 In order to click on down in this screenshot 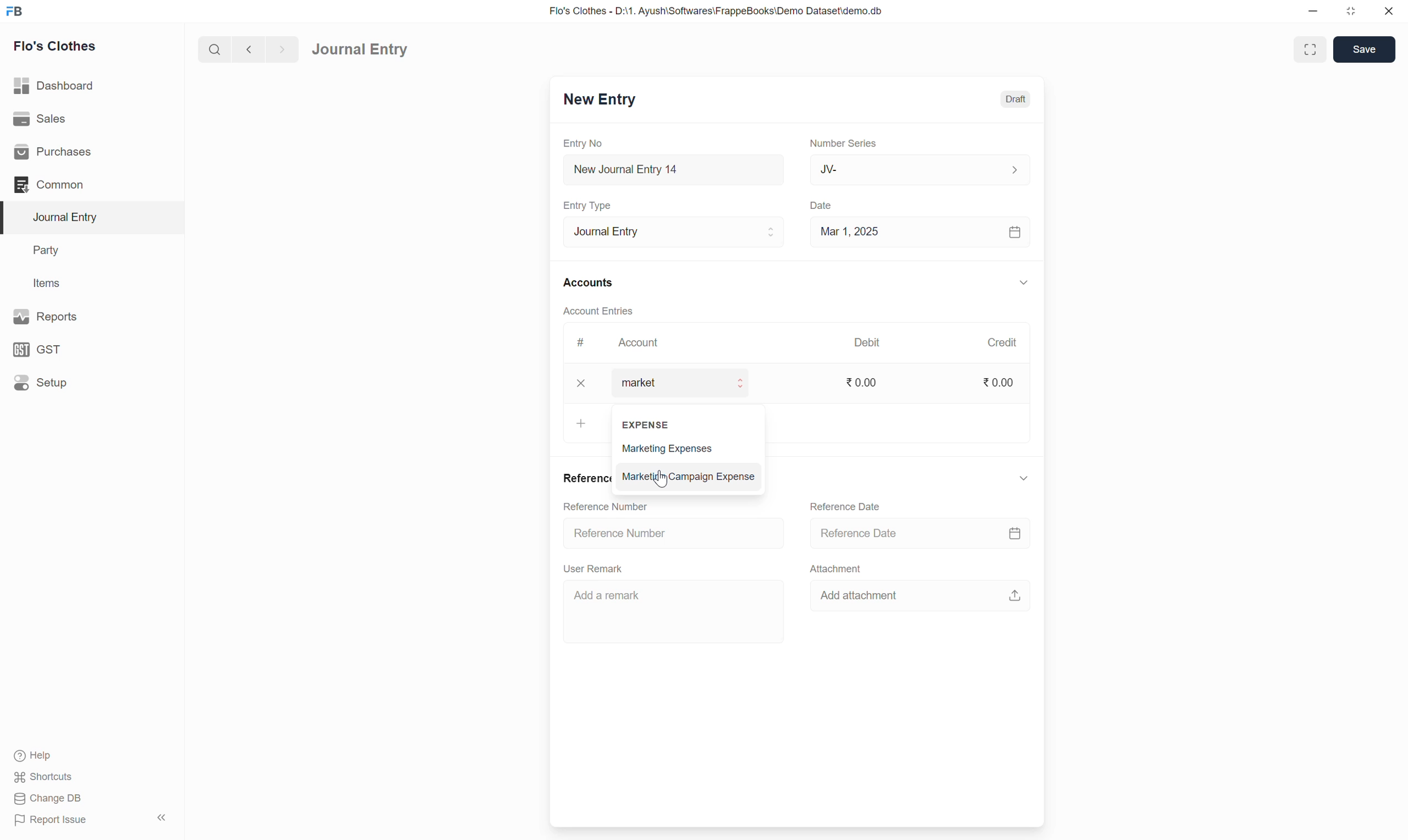, I will do `click(1022, 284)`.